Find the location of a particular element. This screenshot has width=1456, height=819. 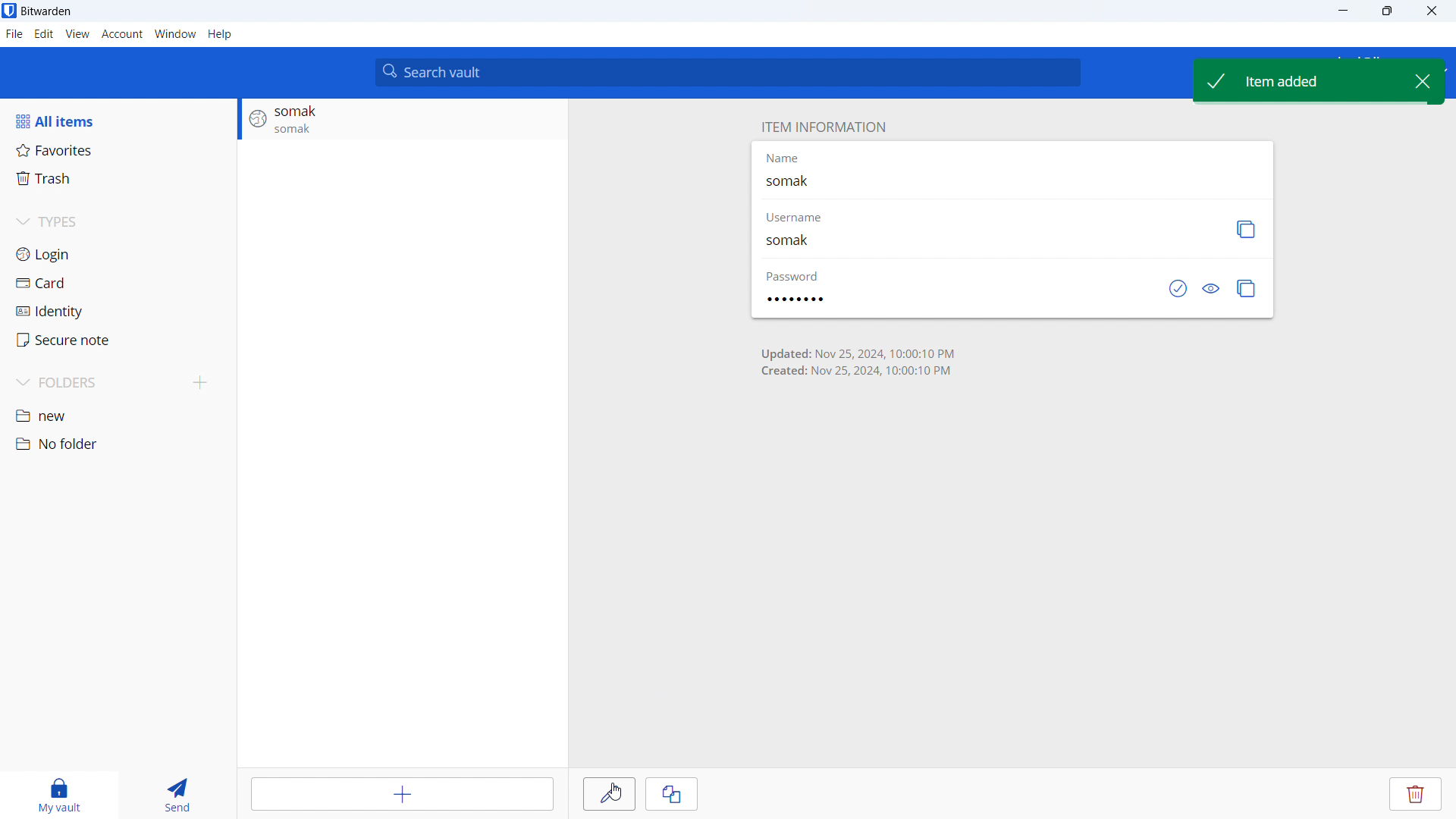

entry info is located at coordinates (401, 124).